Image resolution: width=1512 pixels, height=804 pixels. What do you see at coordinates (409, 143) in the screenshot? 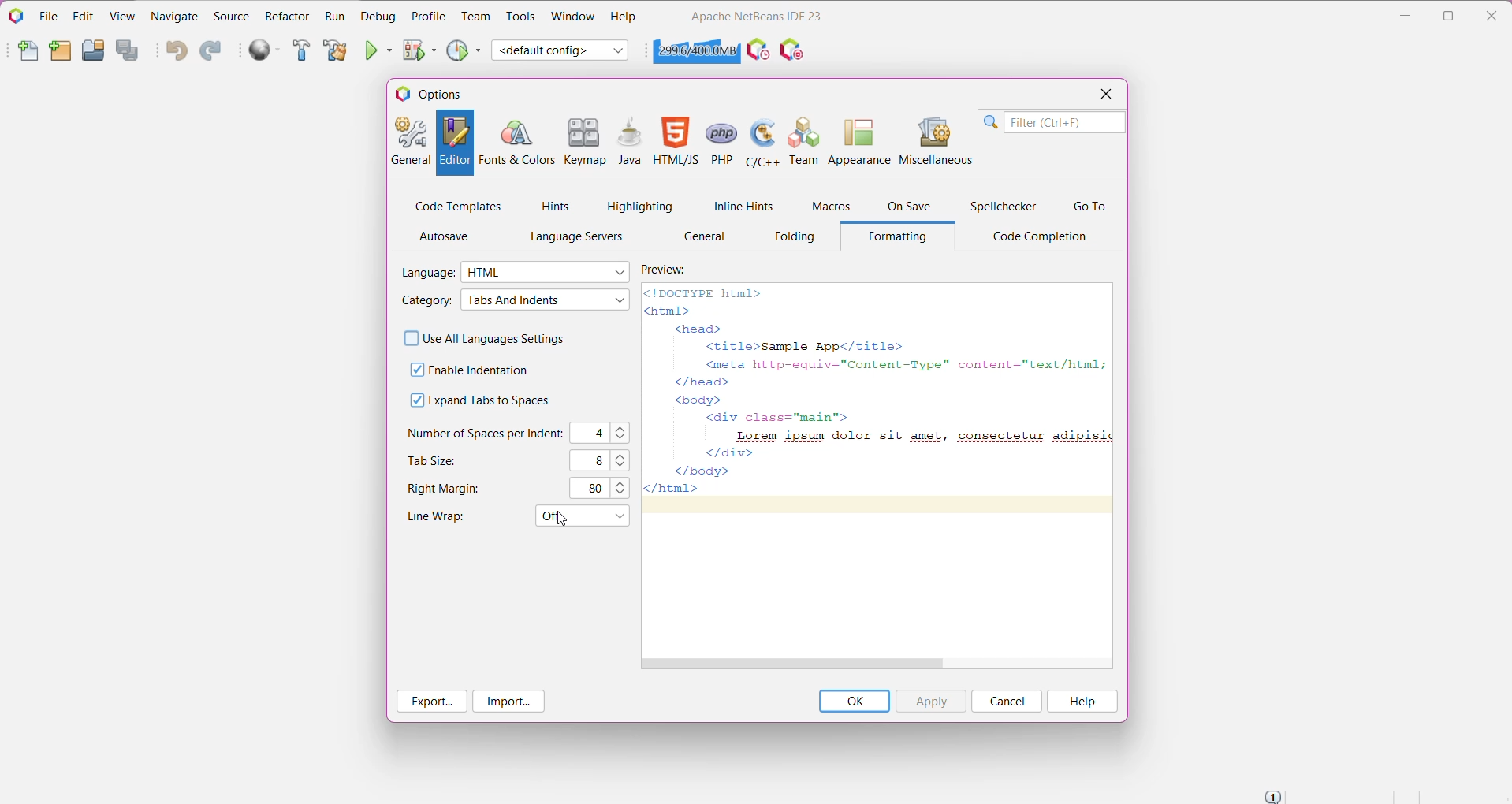
I see `General` at bounding box center [409, 143].